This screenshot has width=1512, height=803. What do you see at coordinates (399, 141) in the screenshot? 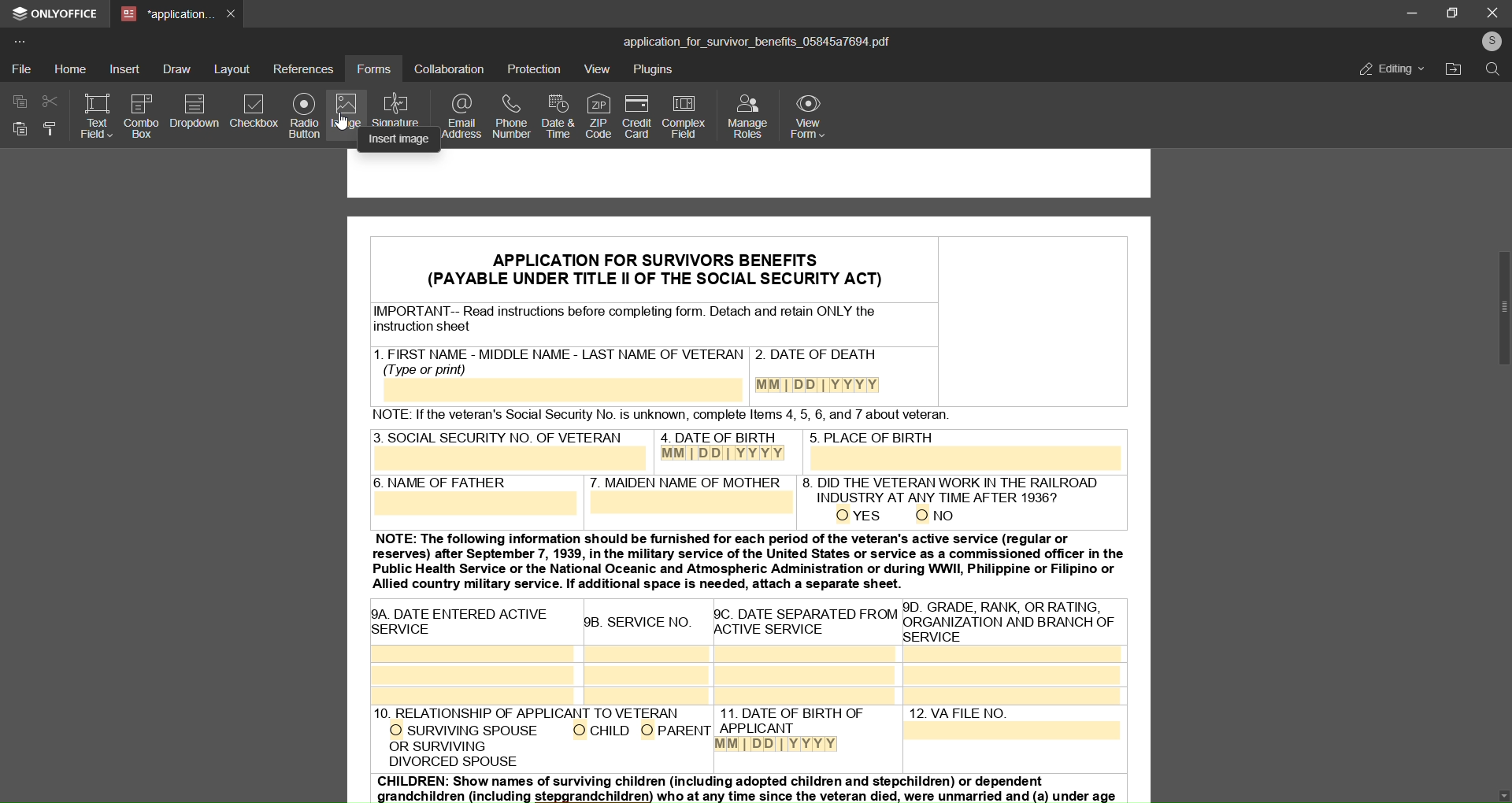
I see `insert image` at bounding box center [399, 141].